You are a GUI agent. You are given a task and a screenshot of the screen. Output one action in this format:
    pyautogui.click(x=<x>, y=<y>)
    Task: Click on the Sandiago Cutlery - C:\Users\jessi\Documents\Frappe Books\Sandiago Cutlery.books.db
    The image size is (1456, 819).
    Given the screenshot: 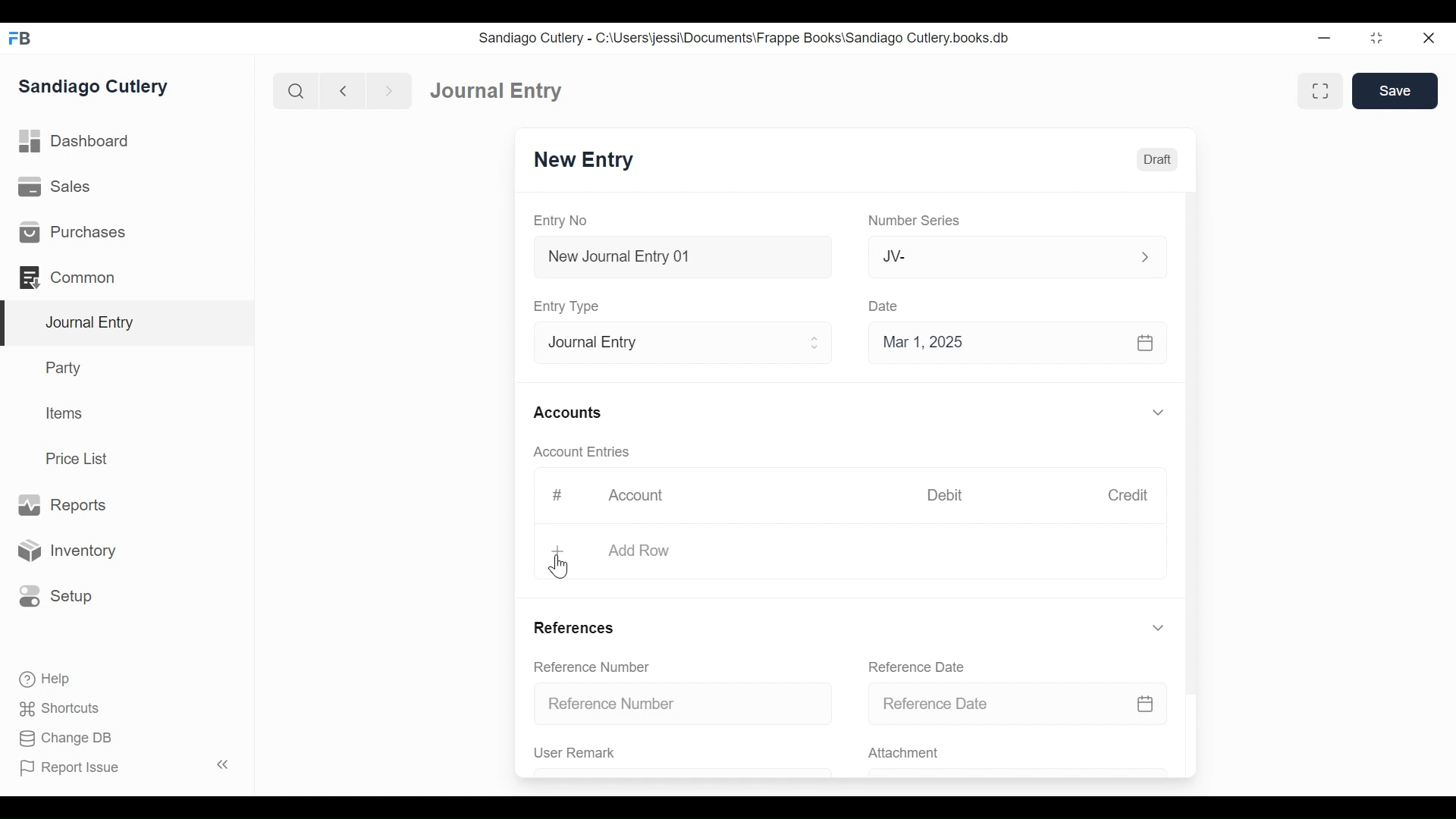 What is the action you would take?
    pyautogui.click(x=748, y=37)
    